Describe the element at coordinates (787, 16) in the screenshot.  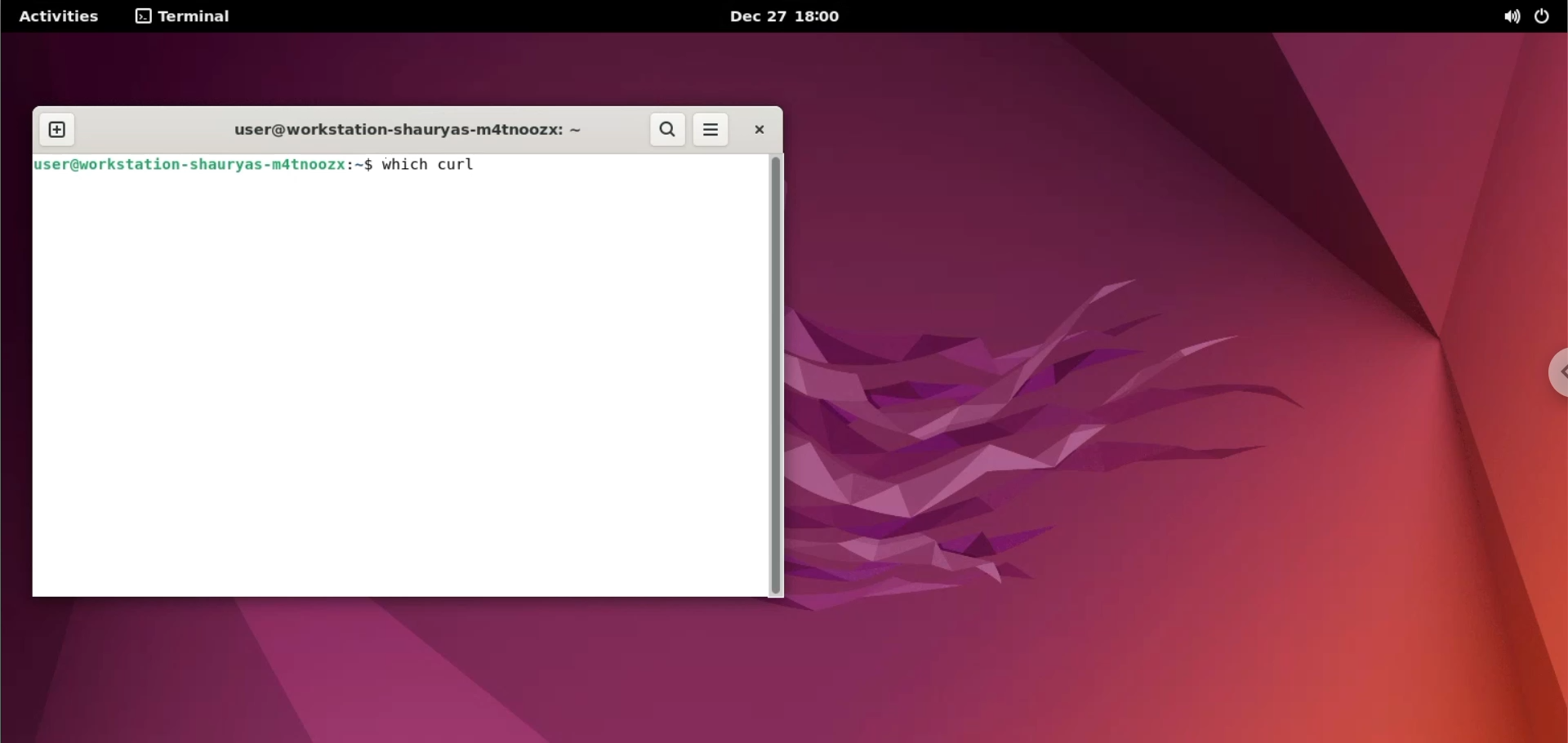
I see ` Dec 27 18:00` at that location.